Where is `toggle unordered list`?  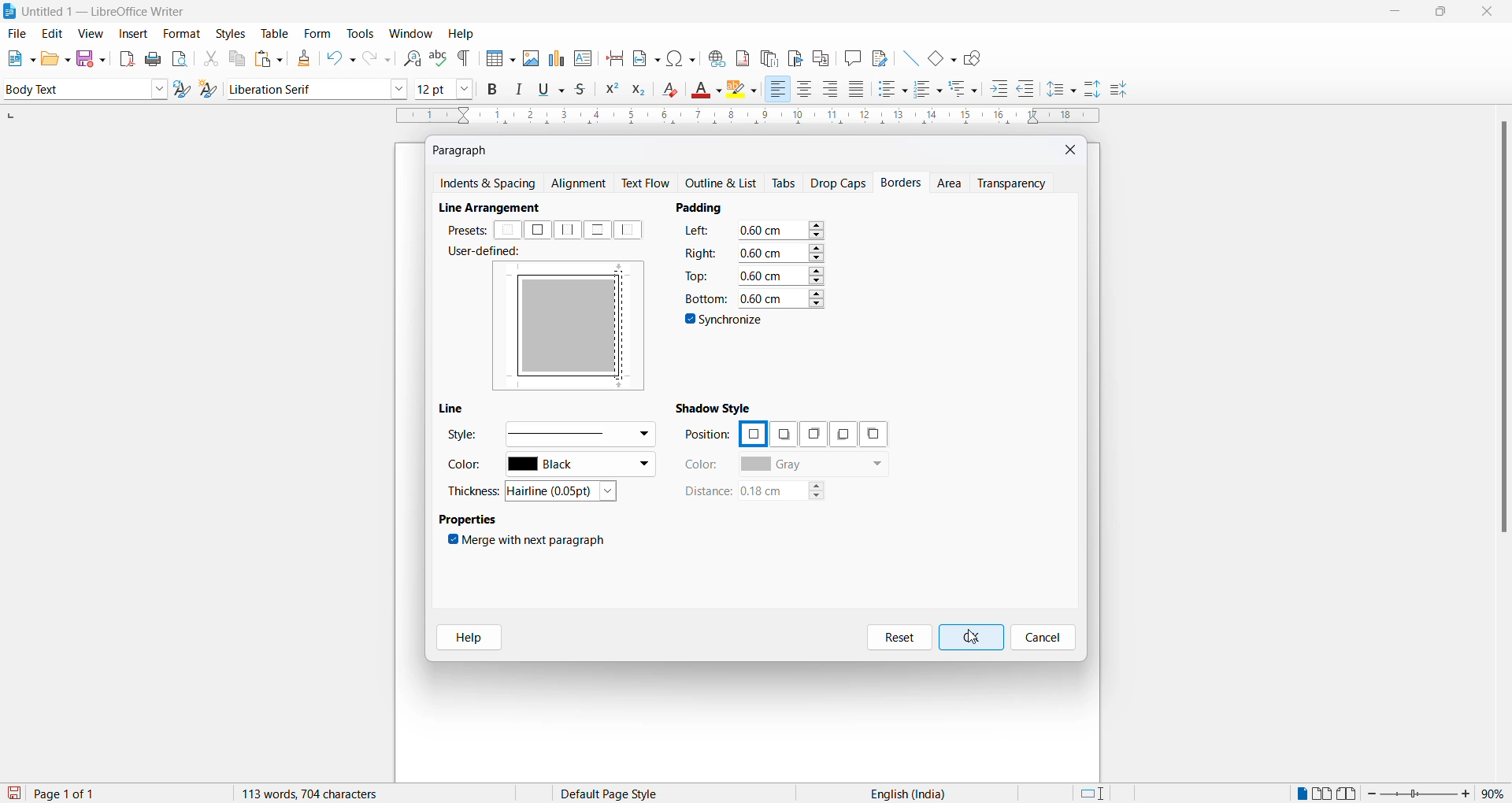
toggle unordered list is located at coordinates (892, 89).